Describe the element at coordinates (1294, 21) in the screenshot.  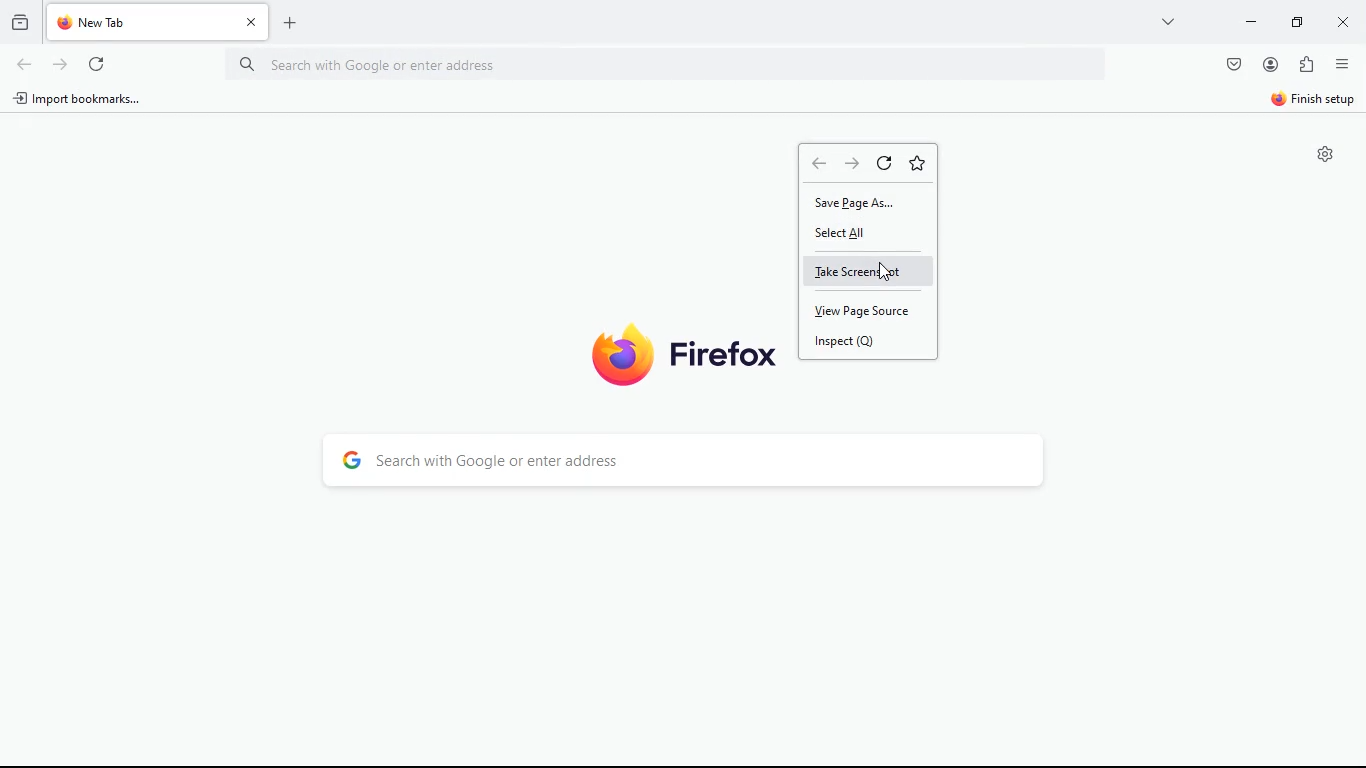
I see `minimize` at that location.